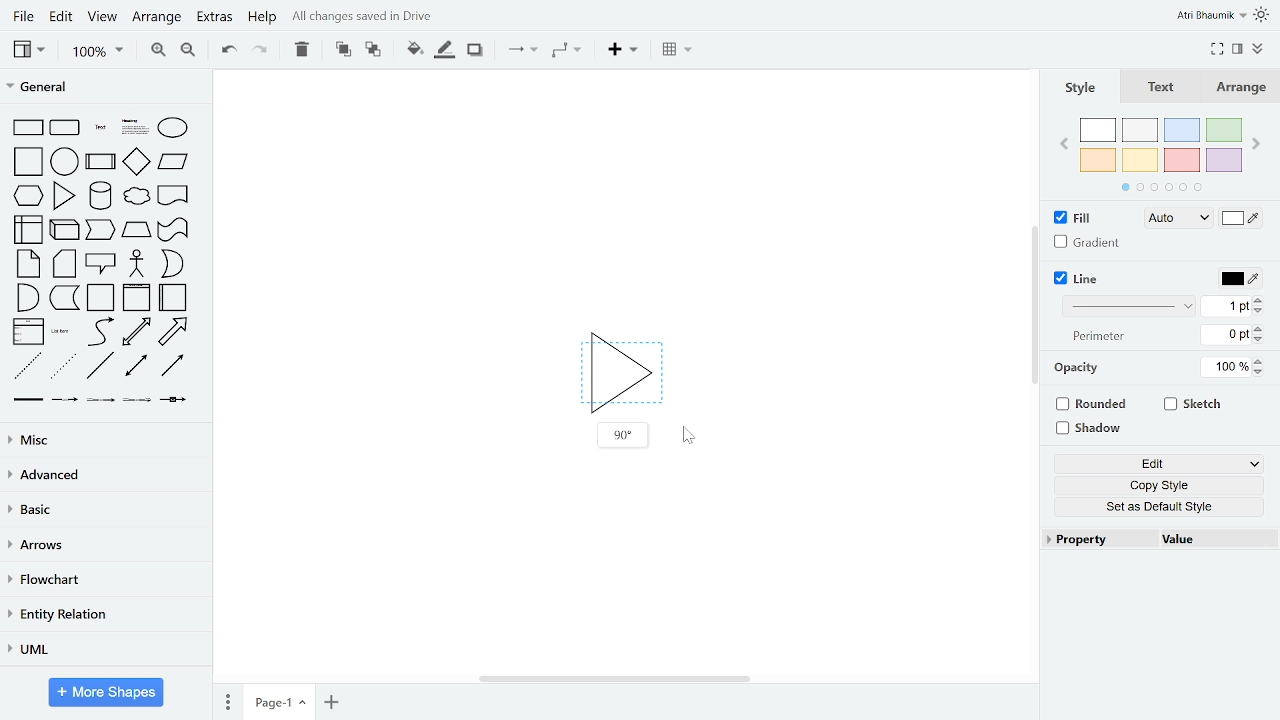 The image size is (1280, 720). I want to click on cube, so click(65, 229).